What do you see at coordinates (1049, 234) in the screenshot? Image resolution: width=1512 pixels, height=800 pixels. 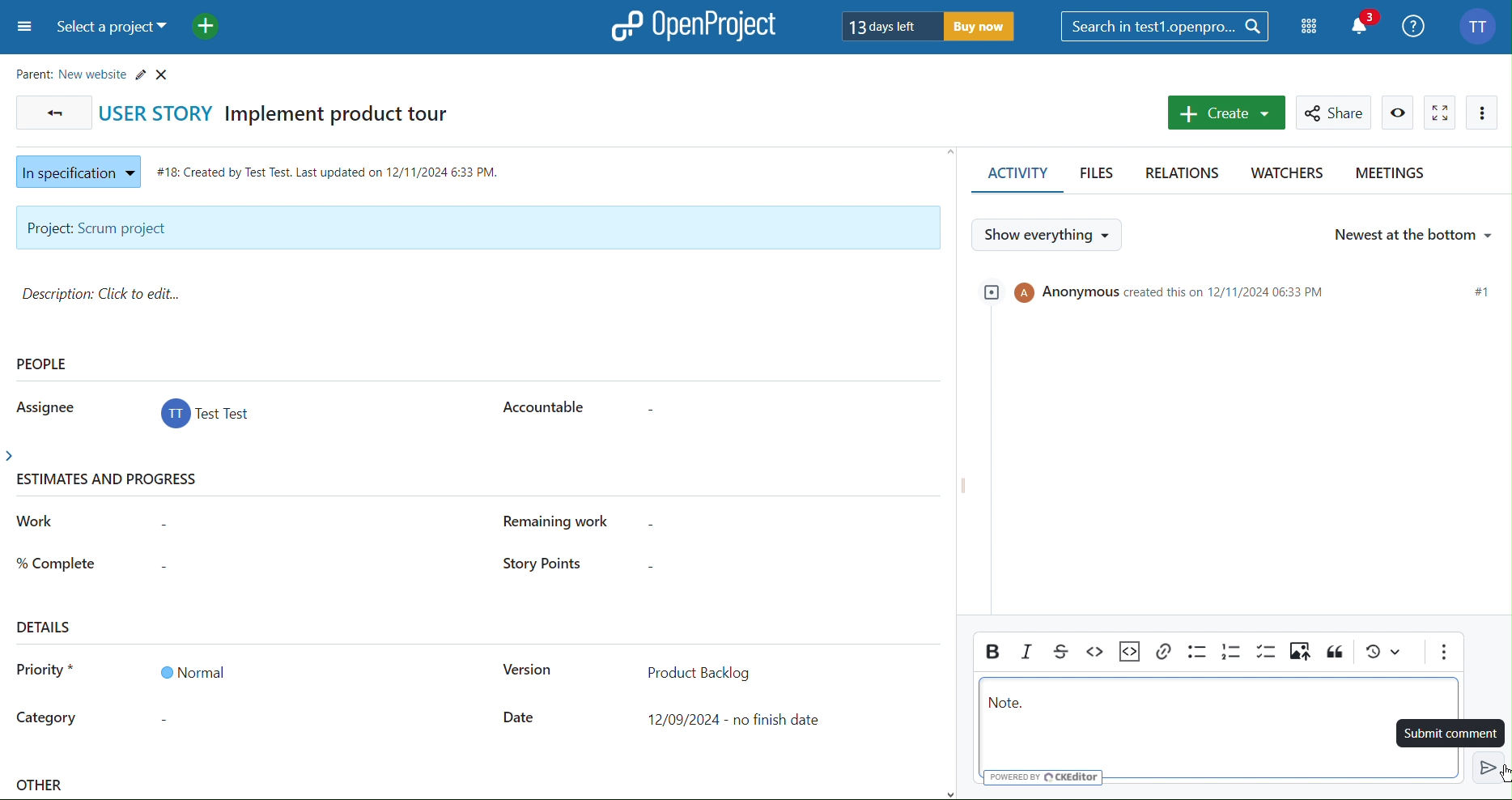 I see `Show everything` at bounding box center [1049, 234].